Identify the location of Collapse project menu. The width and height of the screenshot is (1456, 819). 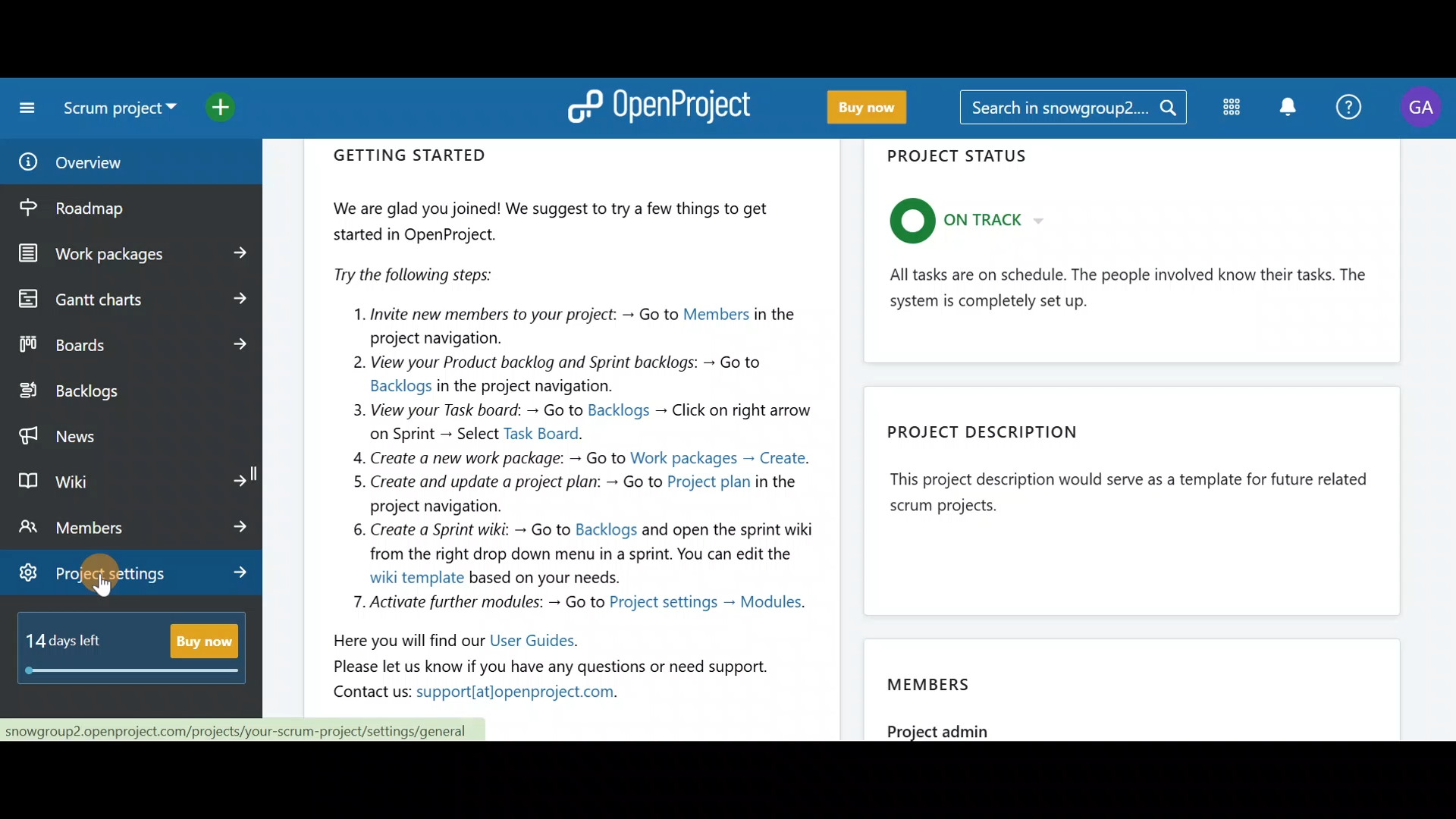
(24, 108).